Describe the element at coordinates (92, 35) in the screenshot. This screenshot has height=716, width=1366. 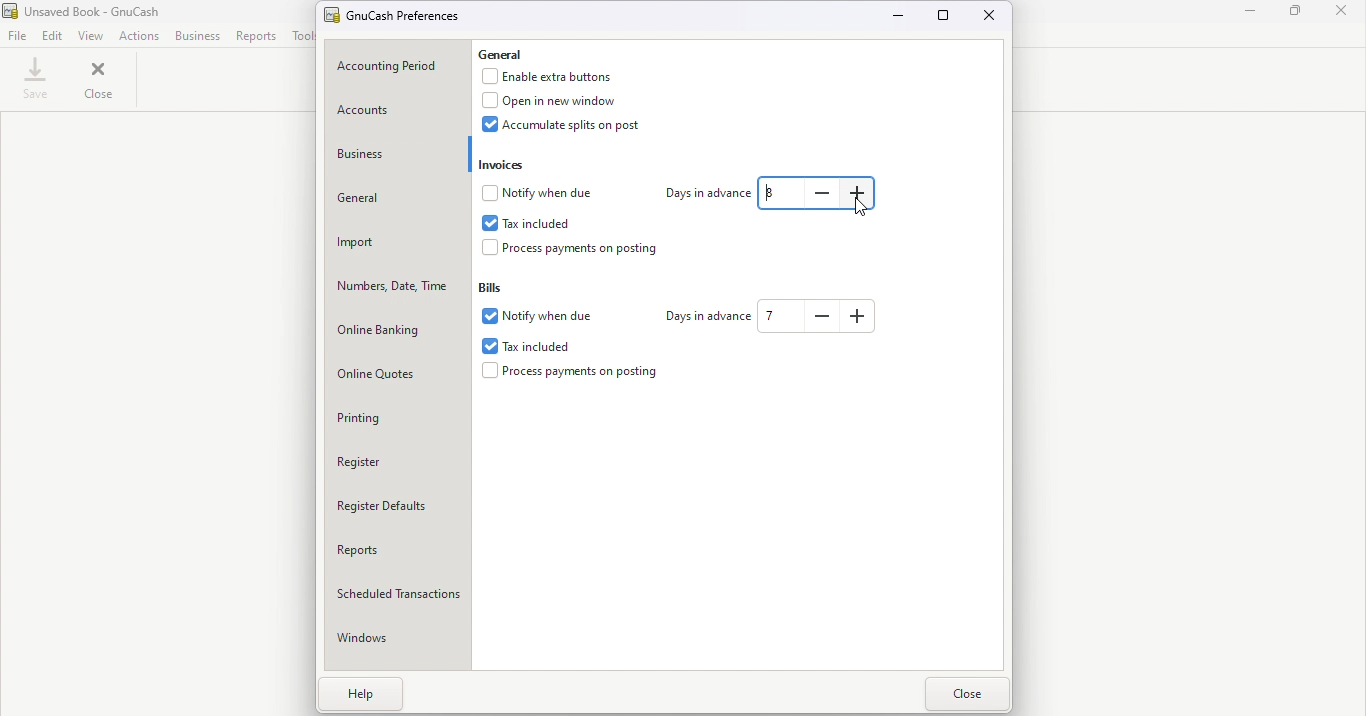
I see `View` at that location.